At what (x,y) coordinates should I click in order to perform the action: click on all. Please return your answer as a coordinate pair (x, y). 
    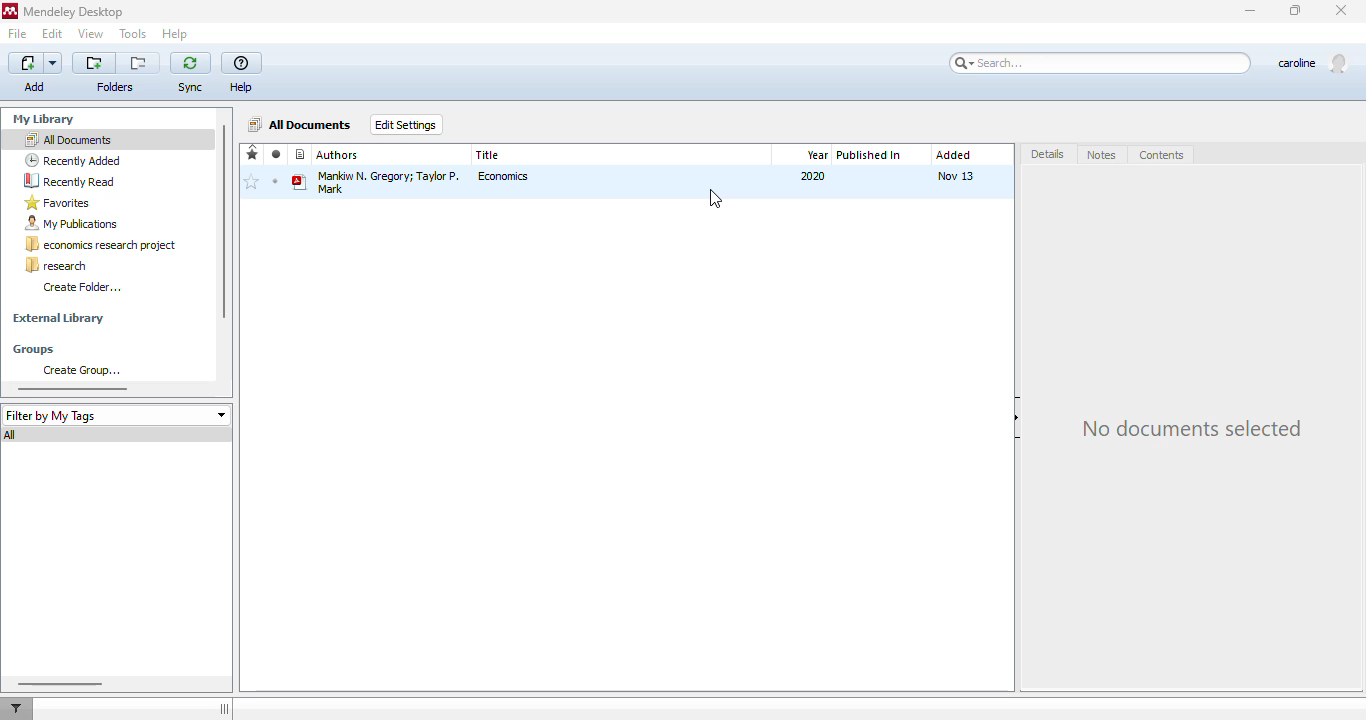
    Looking at the image, I should click on (13, 435).